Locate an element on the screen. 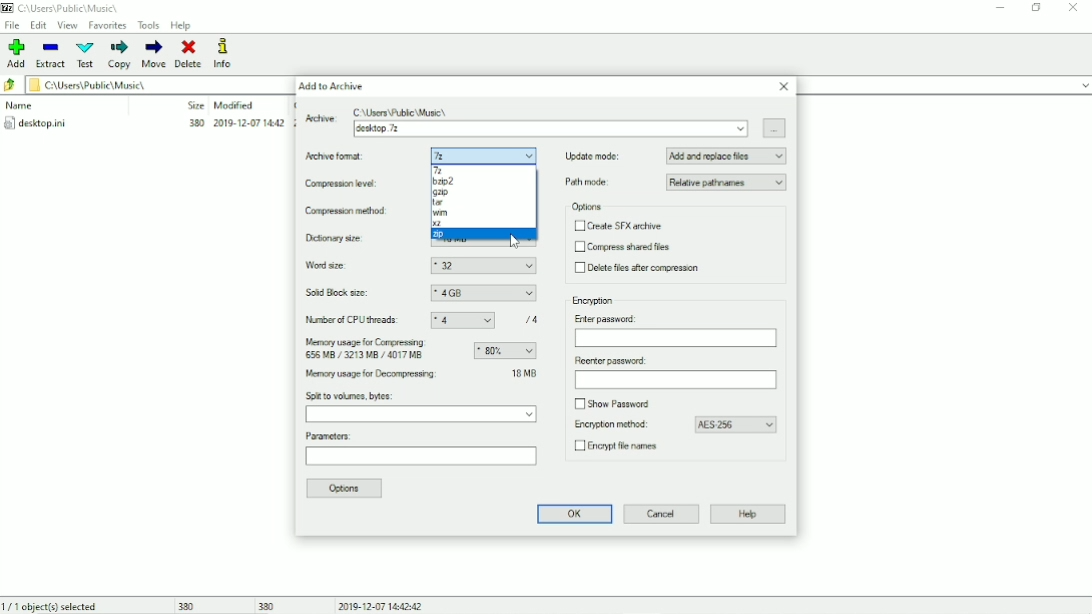 This screenshot has width=1092, height=614. Back is located at coordinates (10, 86).